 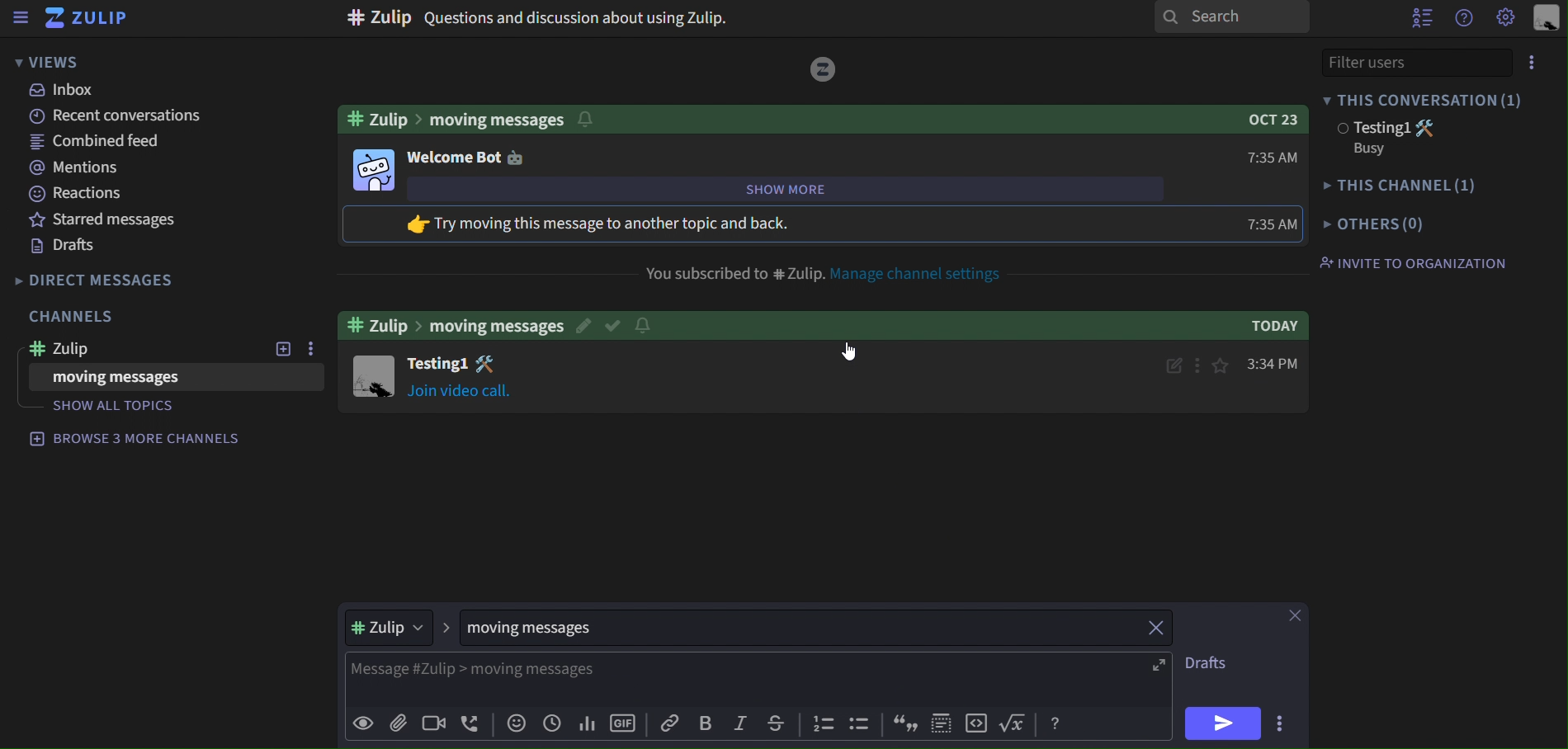 I want to click on help, so click(x=1055, y=722).